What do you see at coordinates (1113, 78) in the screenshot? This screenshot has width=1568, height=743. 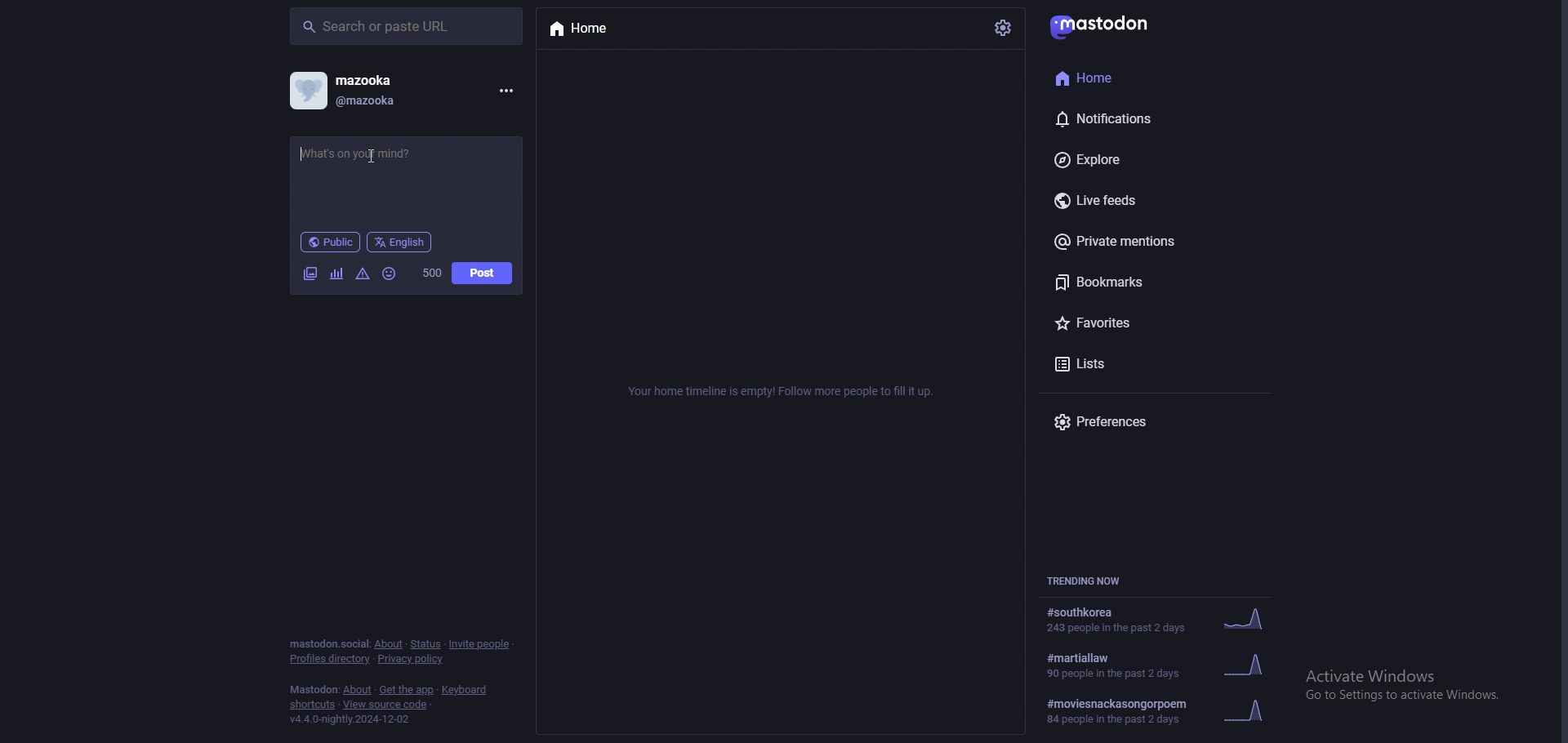 I see `home` at bounding box center [1113, 78].